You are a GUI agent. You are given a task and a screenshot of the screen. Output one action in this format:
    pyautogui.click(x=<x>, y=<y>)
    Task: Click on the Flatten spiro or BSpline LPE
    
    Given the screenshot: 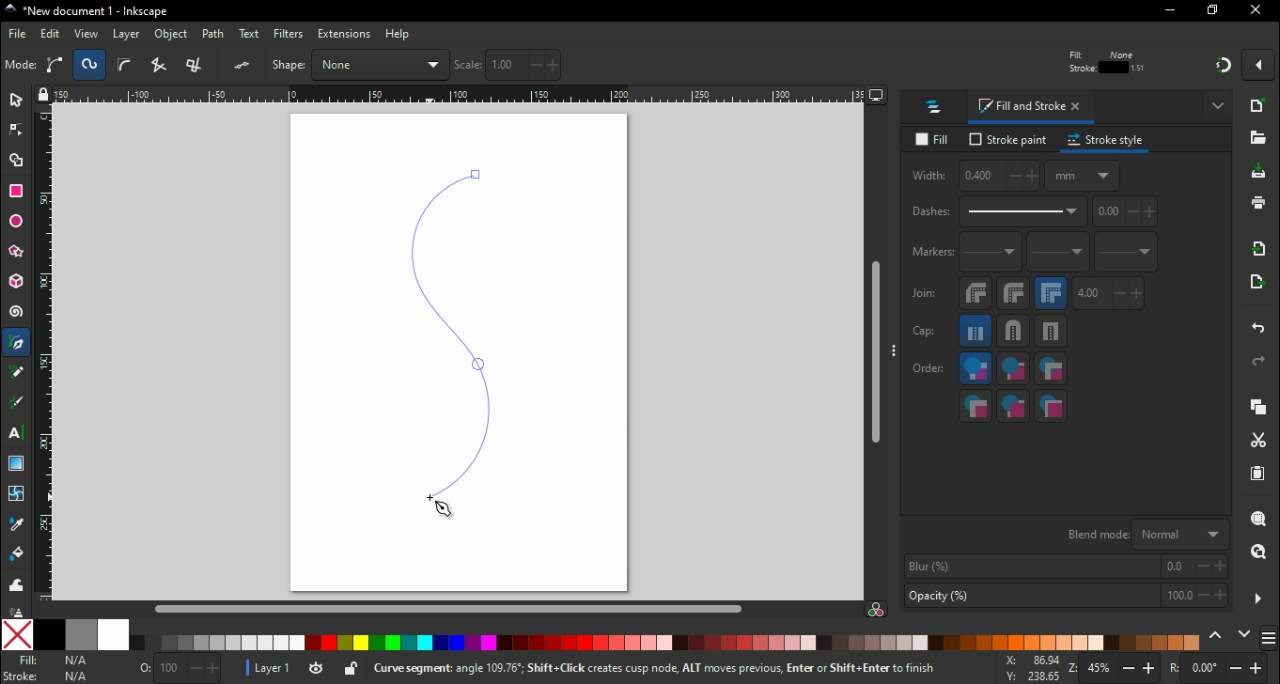 What is the action you would take?
    pyautogui.click(x=244, y=65)
    